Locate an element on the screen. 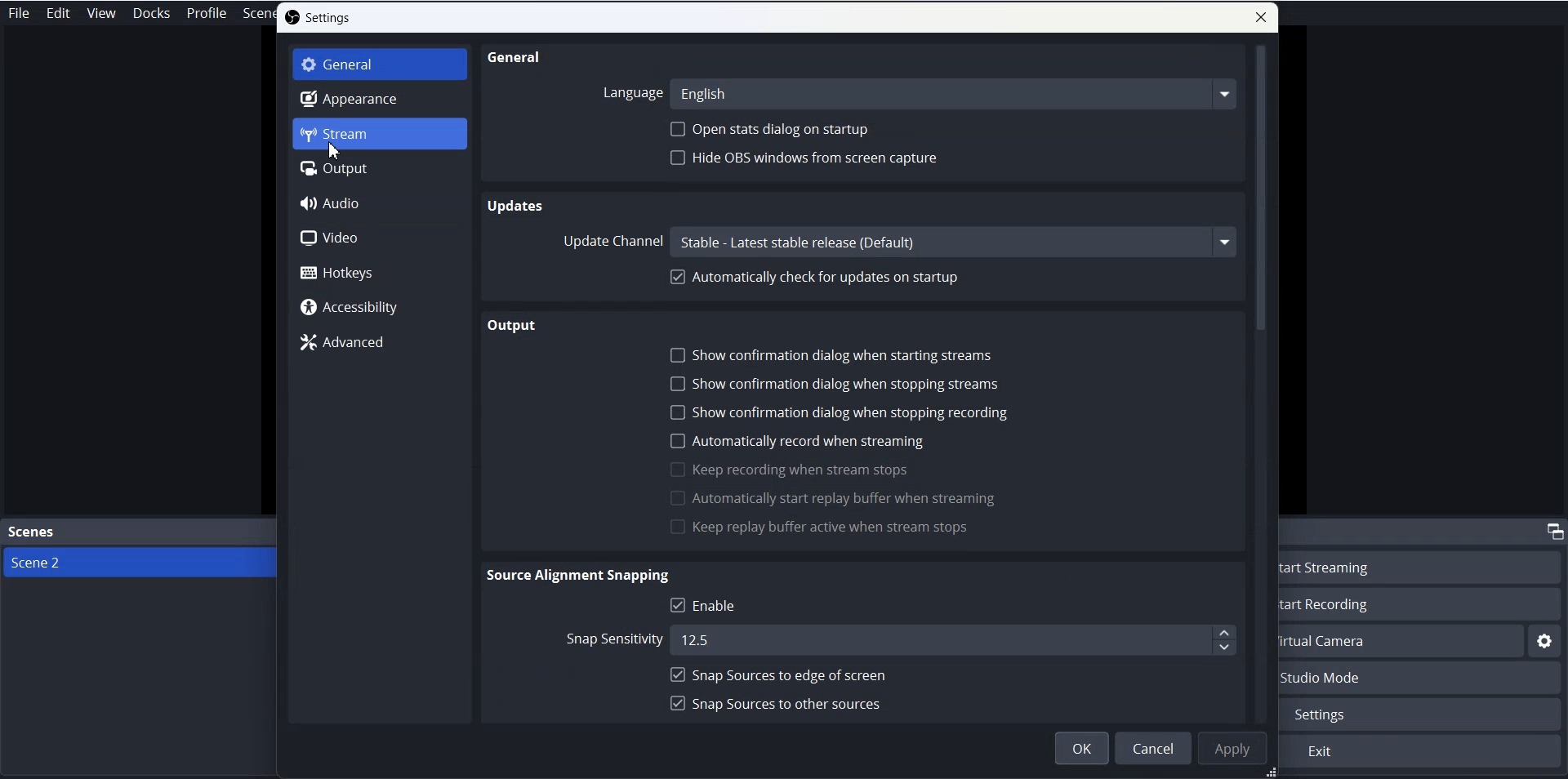 The image size is (1568, 779). View is located at coordinates (101, 13).